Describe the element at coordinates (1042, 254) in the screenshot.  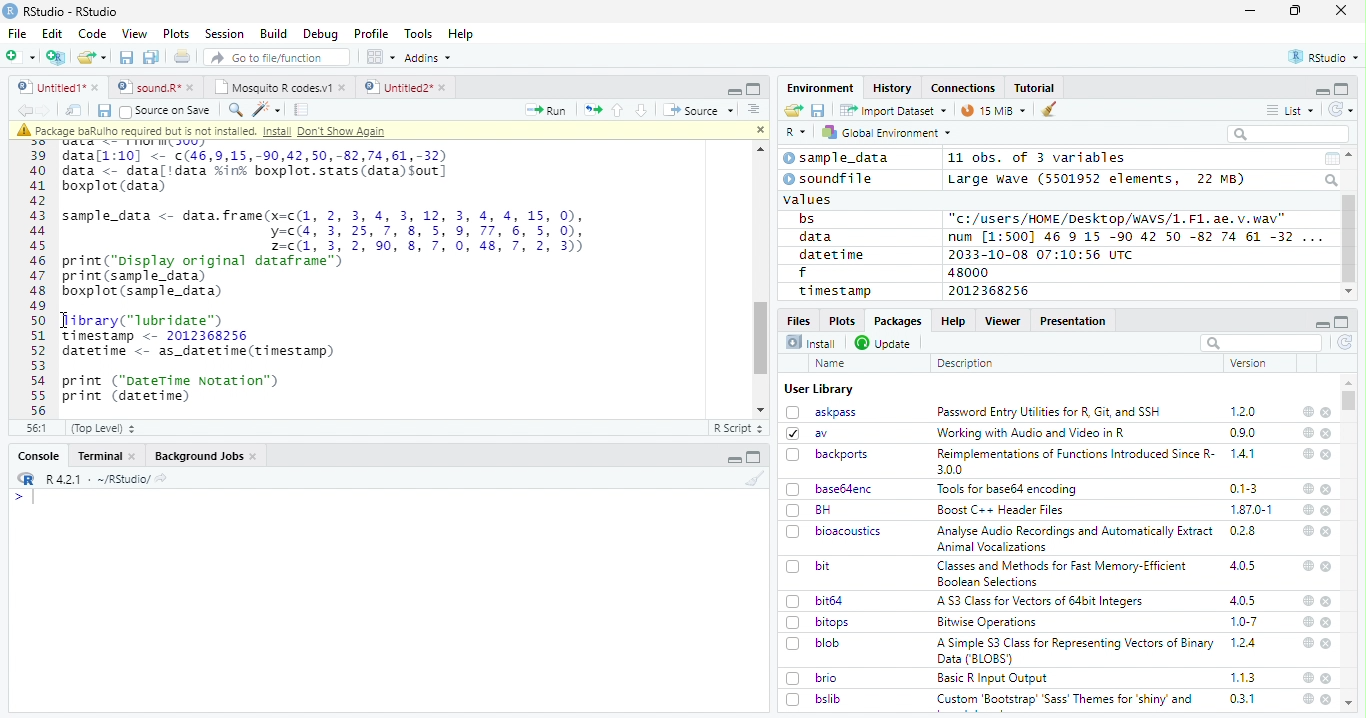
I see `2033-10-08 07:10:56 UTC` at that location.